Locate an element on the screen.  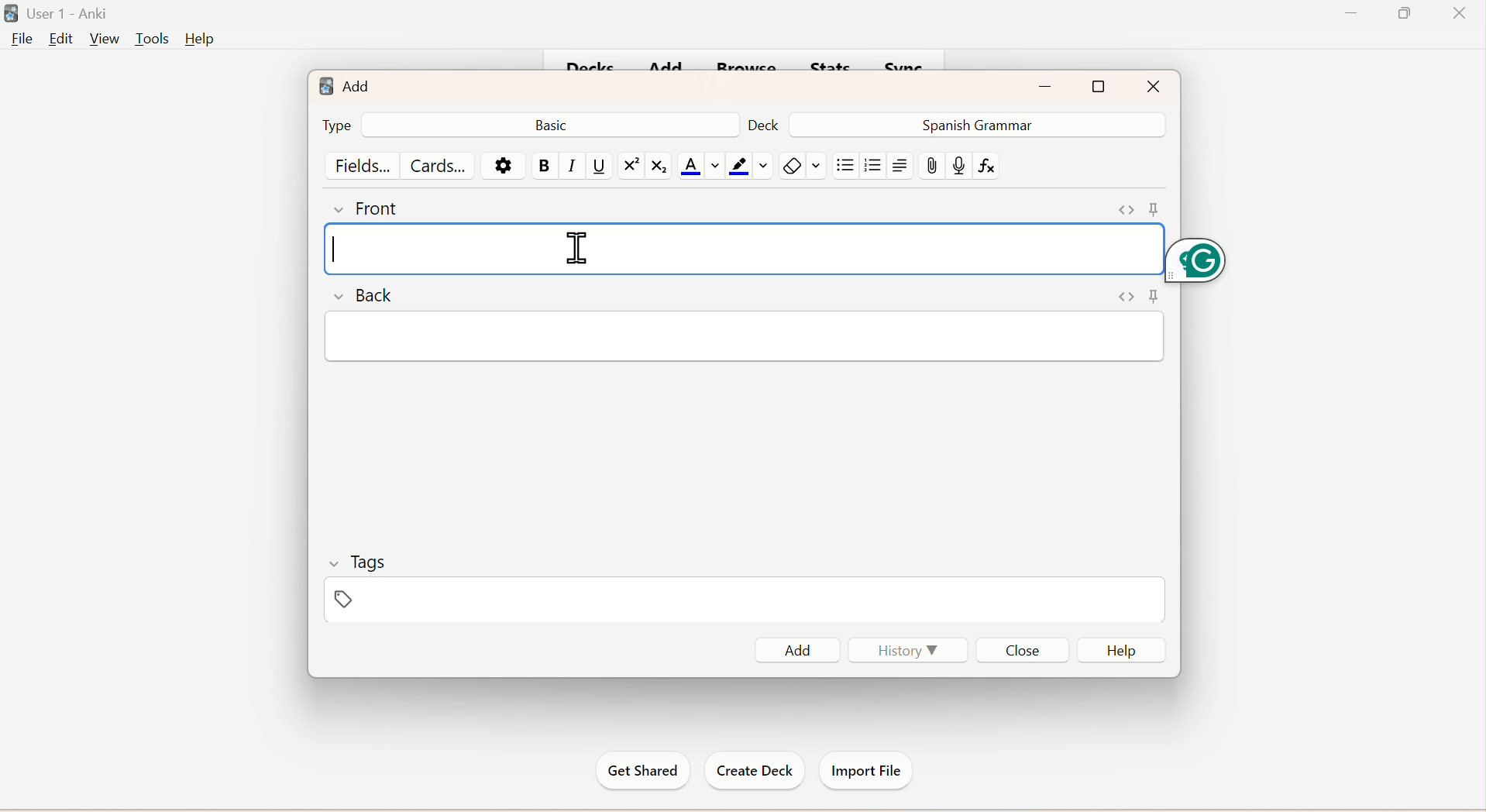
Spanish Grammar is located at coordinates (973, 124).